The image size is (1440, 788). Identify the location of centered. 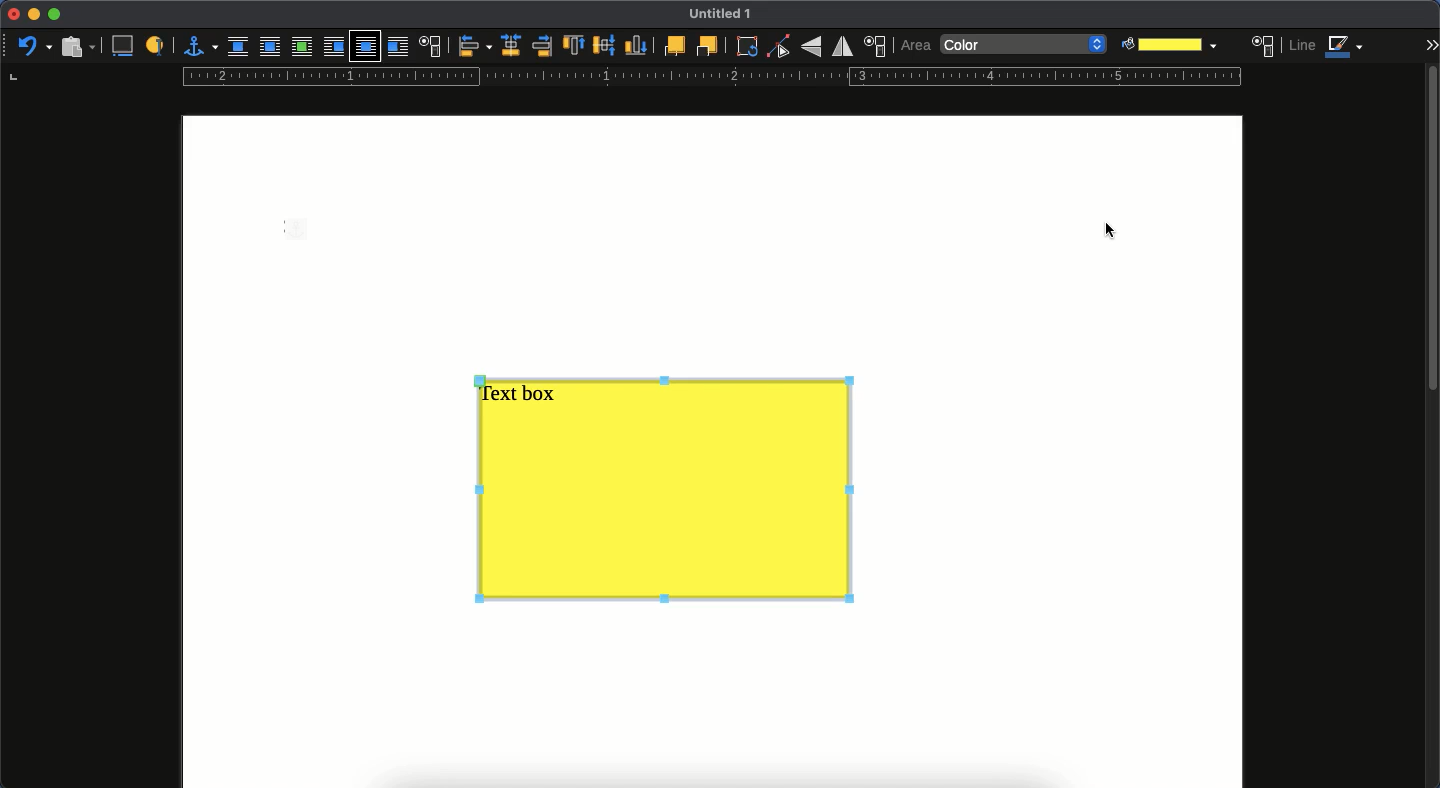
(509, 46).